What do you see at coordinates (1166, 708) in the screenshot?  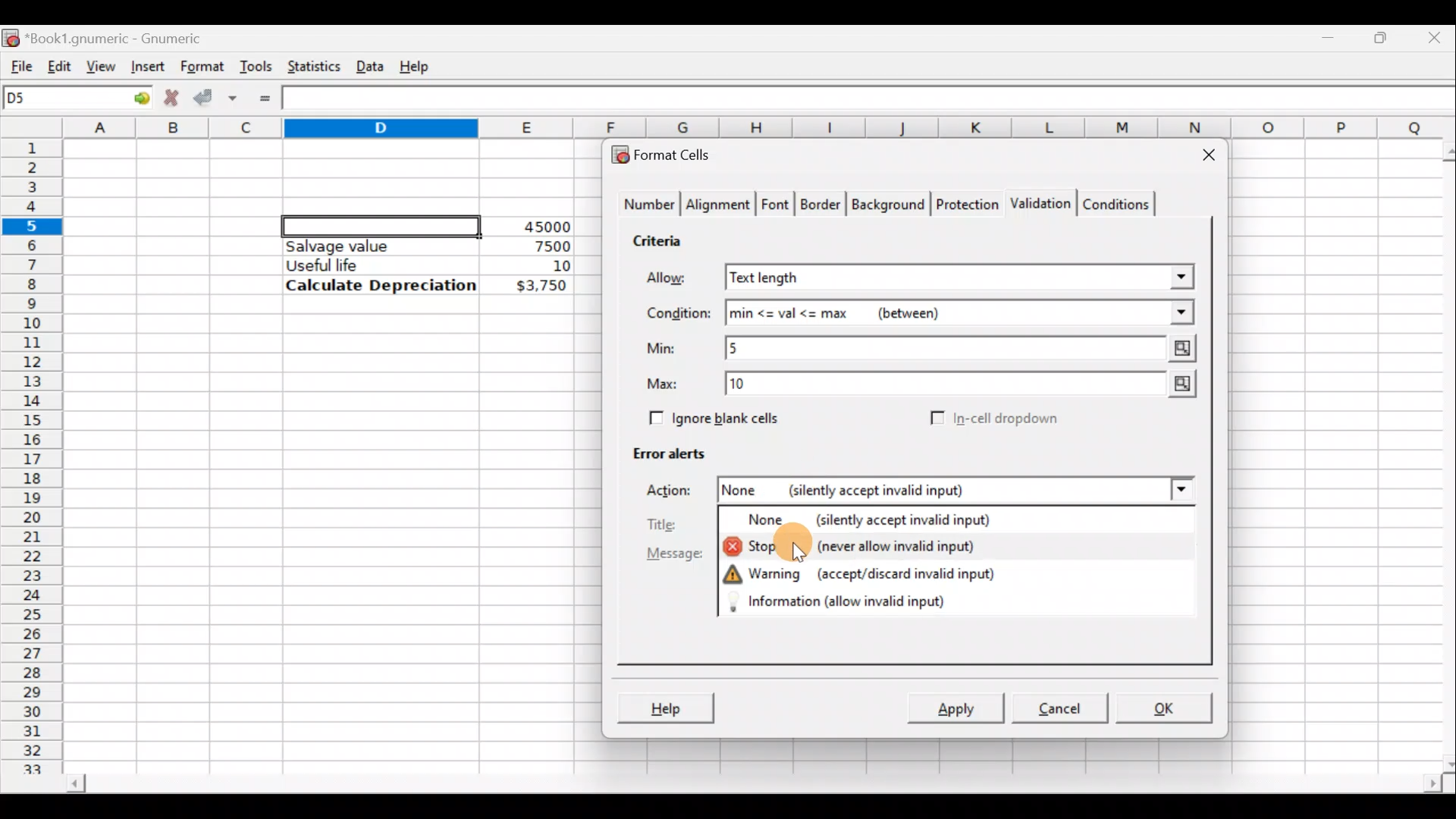 I see `OK` at bounding box center [1166, 708].